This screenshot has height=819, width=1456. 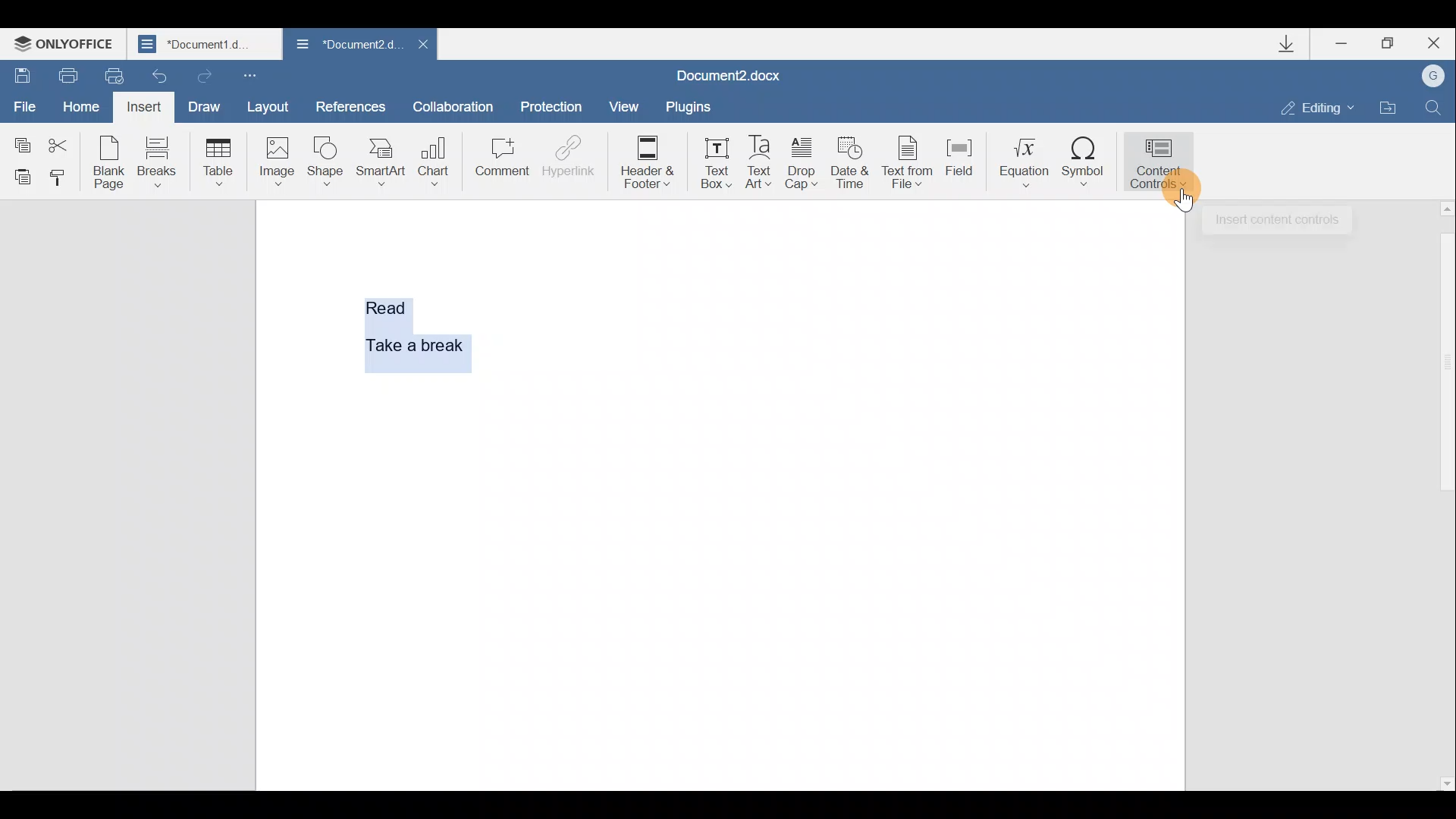 I want to click on Print file, so click(x=67, y=73).